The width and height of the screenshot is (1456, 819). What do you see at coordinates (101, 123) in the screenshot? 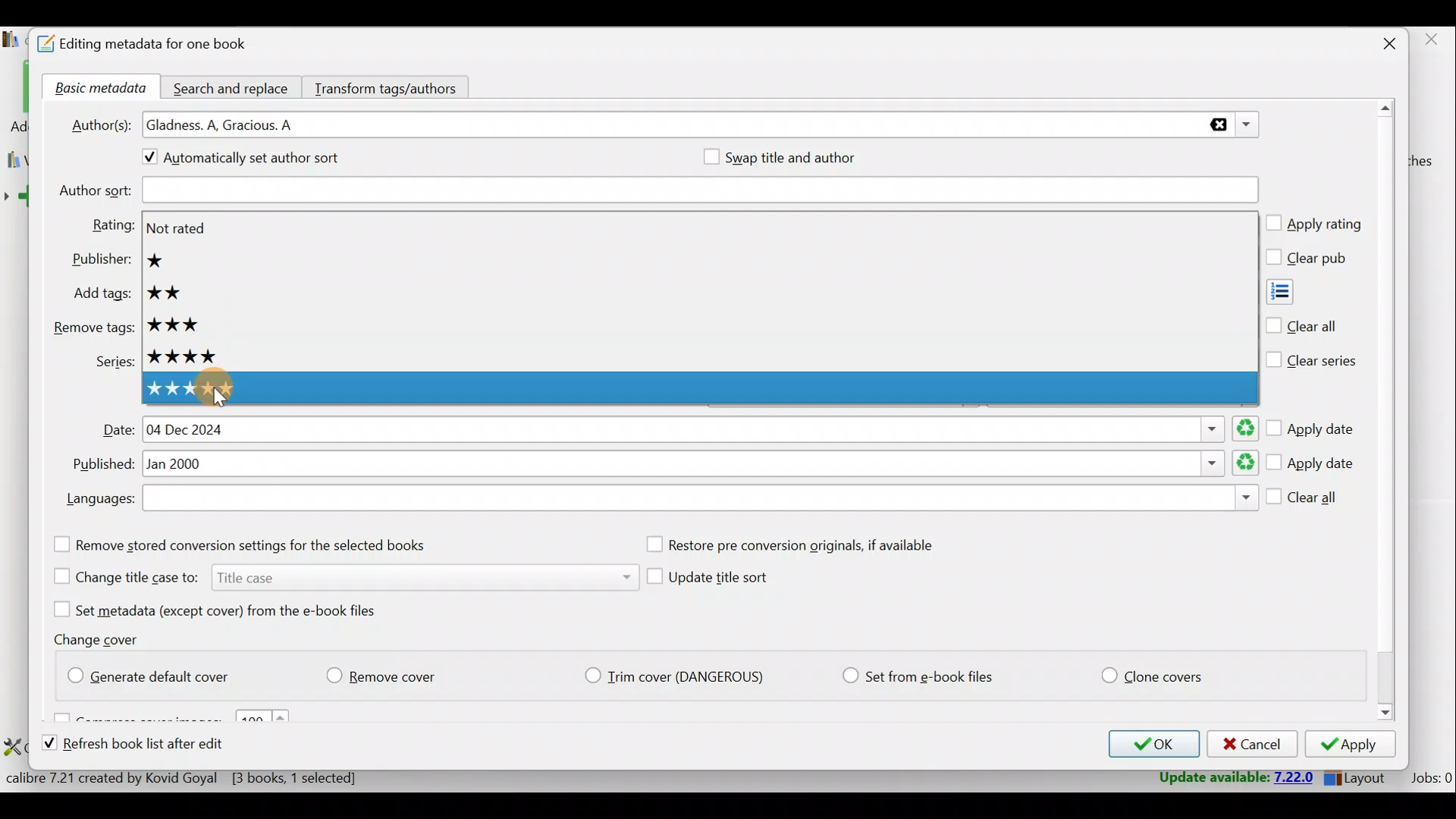
I see `Author(s):` at bounding box center [101, 123].